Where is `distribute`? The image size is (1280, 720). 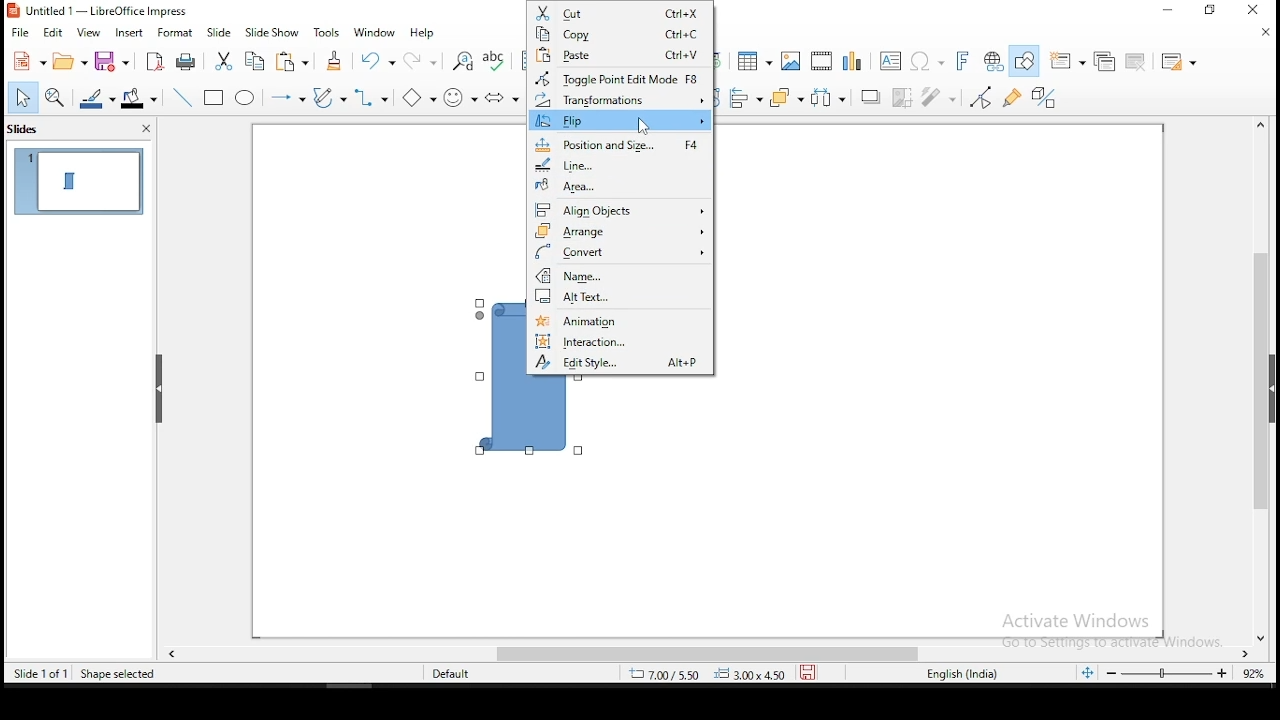 distribute is located at coordinates (827, 99).